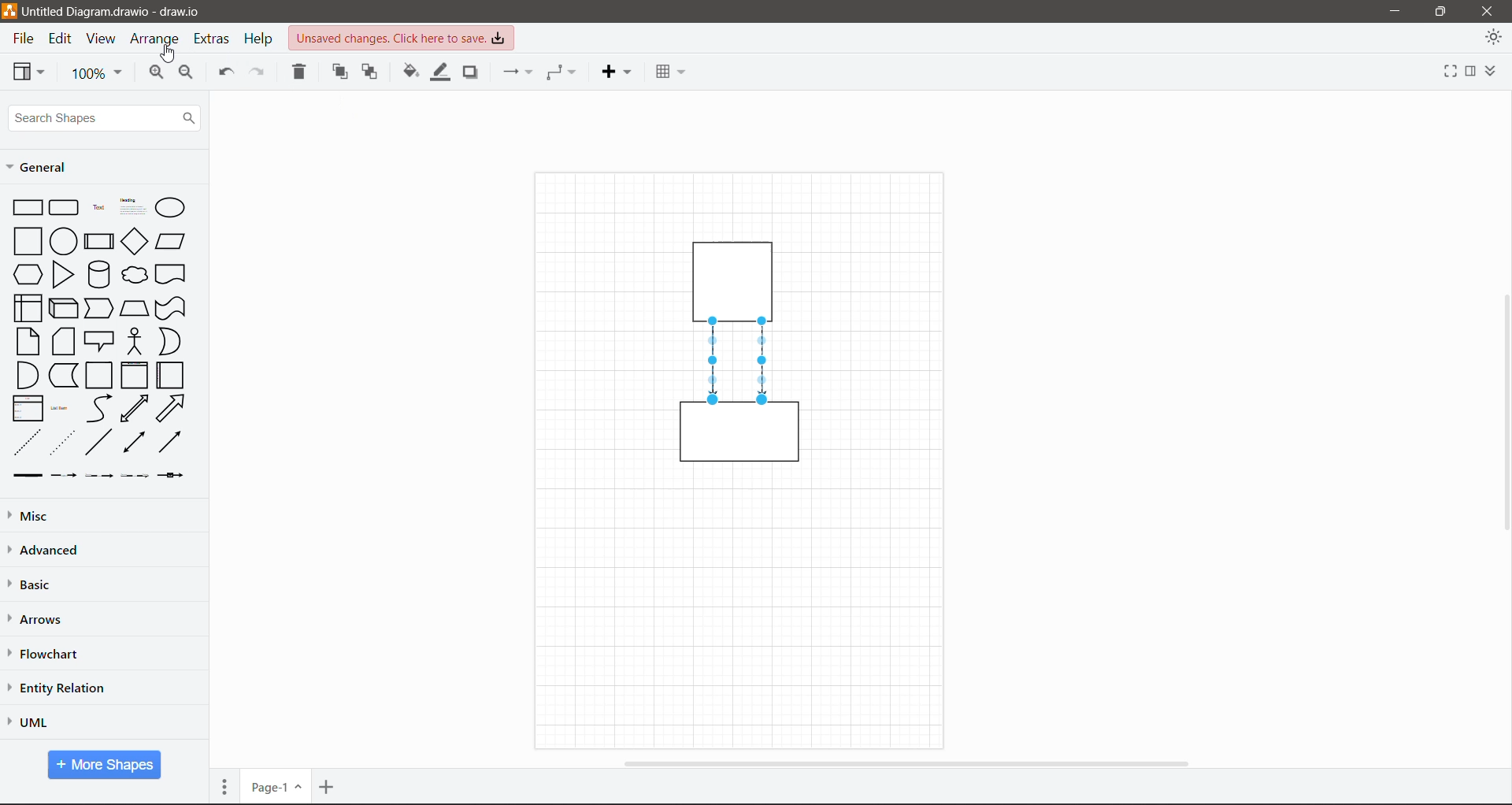 The image size is (1512, 805). Describe the element at coordinates (1446, 73) in the screenshot. I see `Fullscreen` at that location.